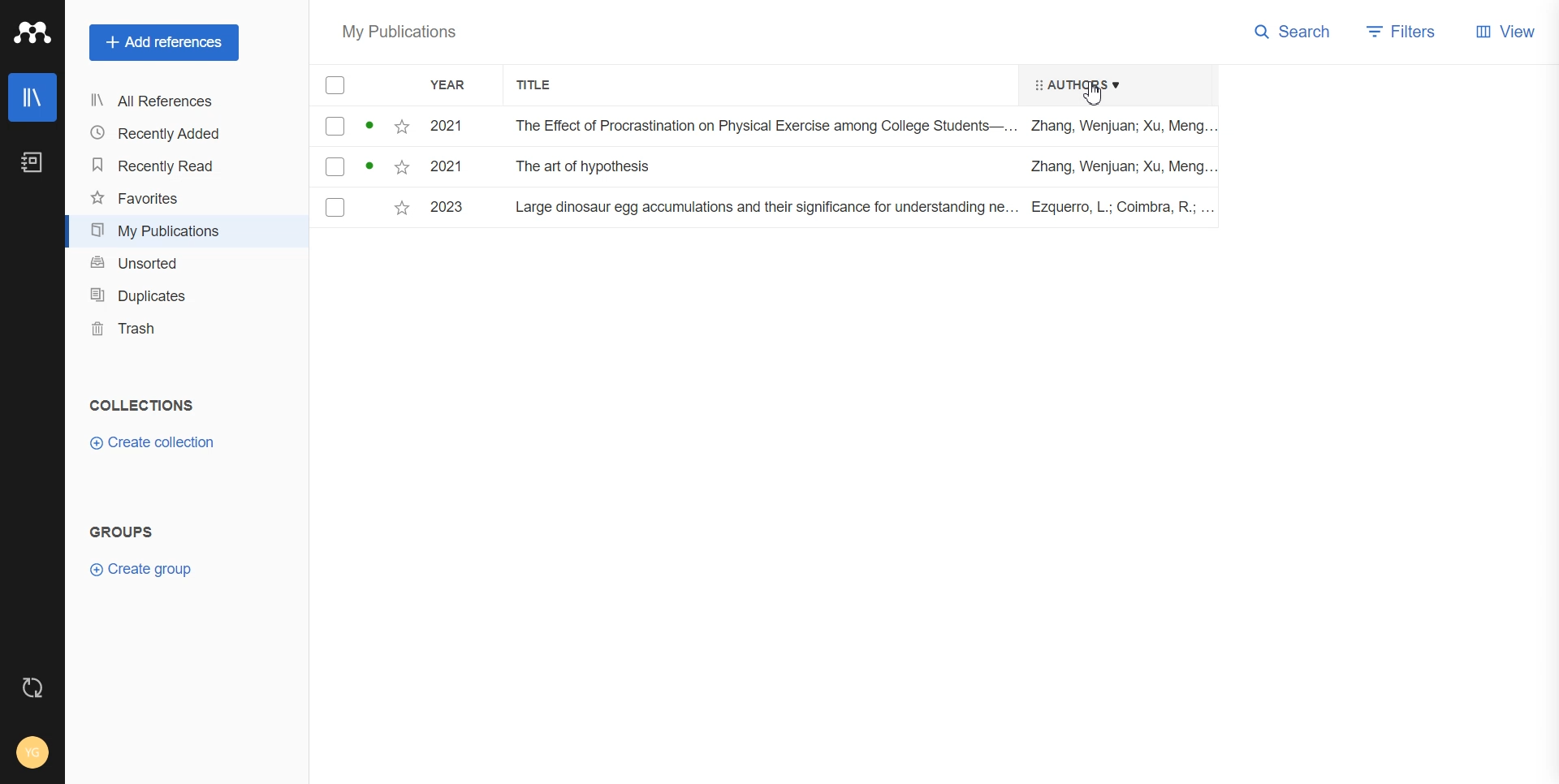  Describe the element at coordinates (1097, 93) in the screenshot. I see `Cursor` at that location.